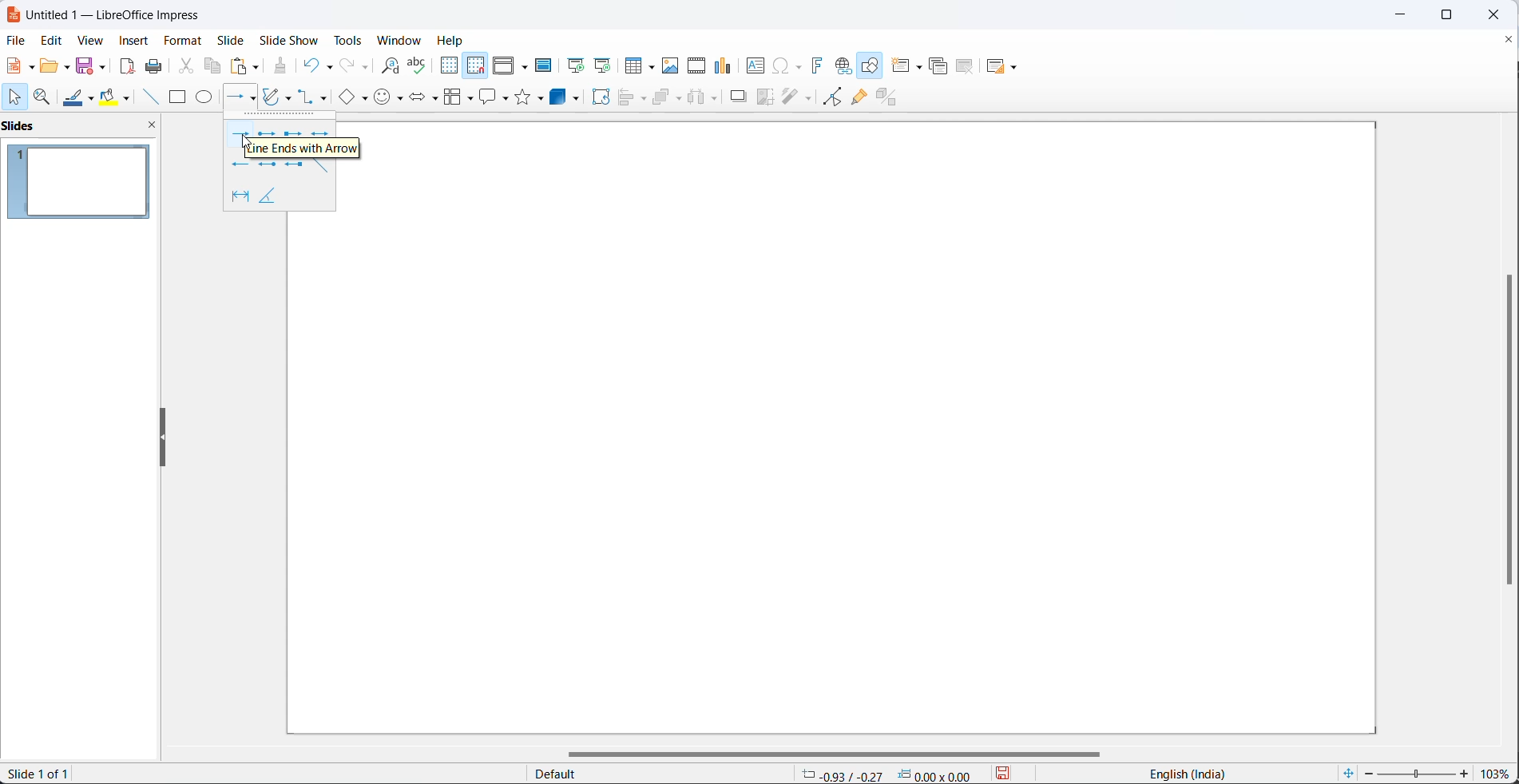 This screenshot has height=784, width=1519. Describe the element at coordinates (83, 127) in the screenshot. I see `side pane` at that location.